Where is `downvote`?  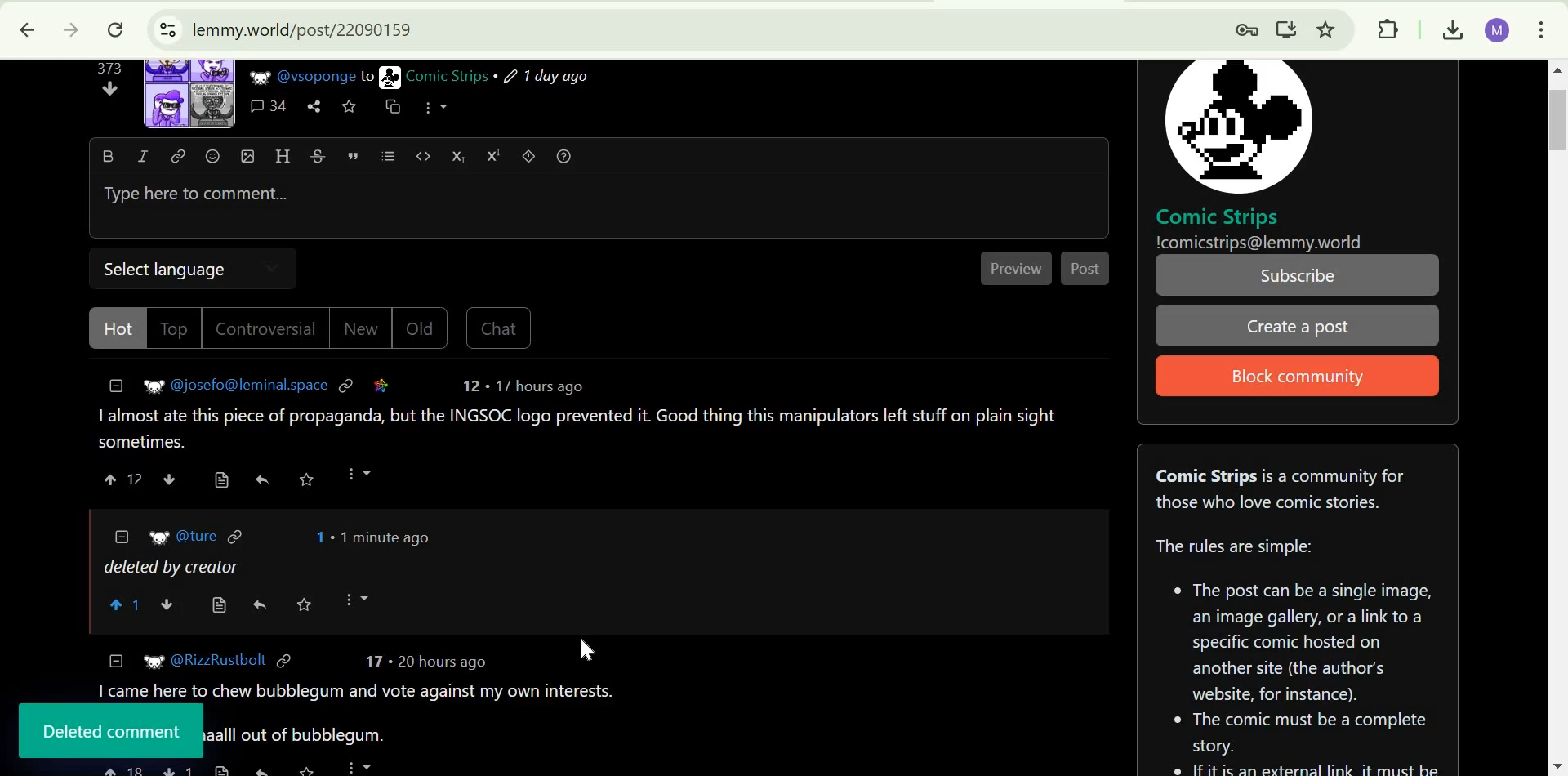 downvote is located at coordinates (169, 604).